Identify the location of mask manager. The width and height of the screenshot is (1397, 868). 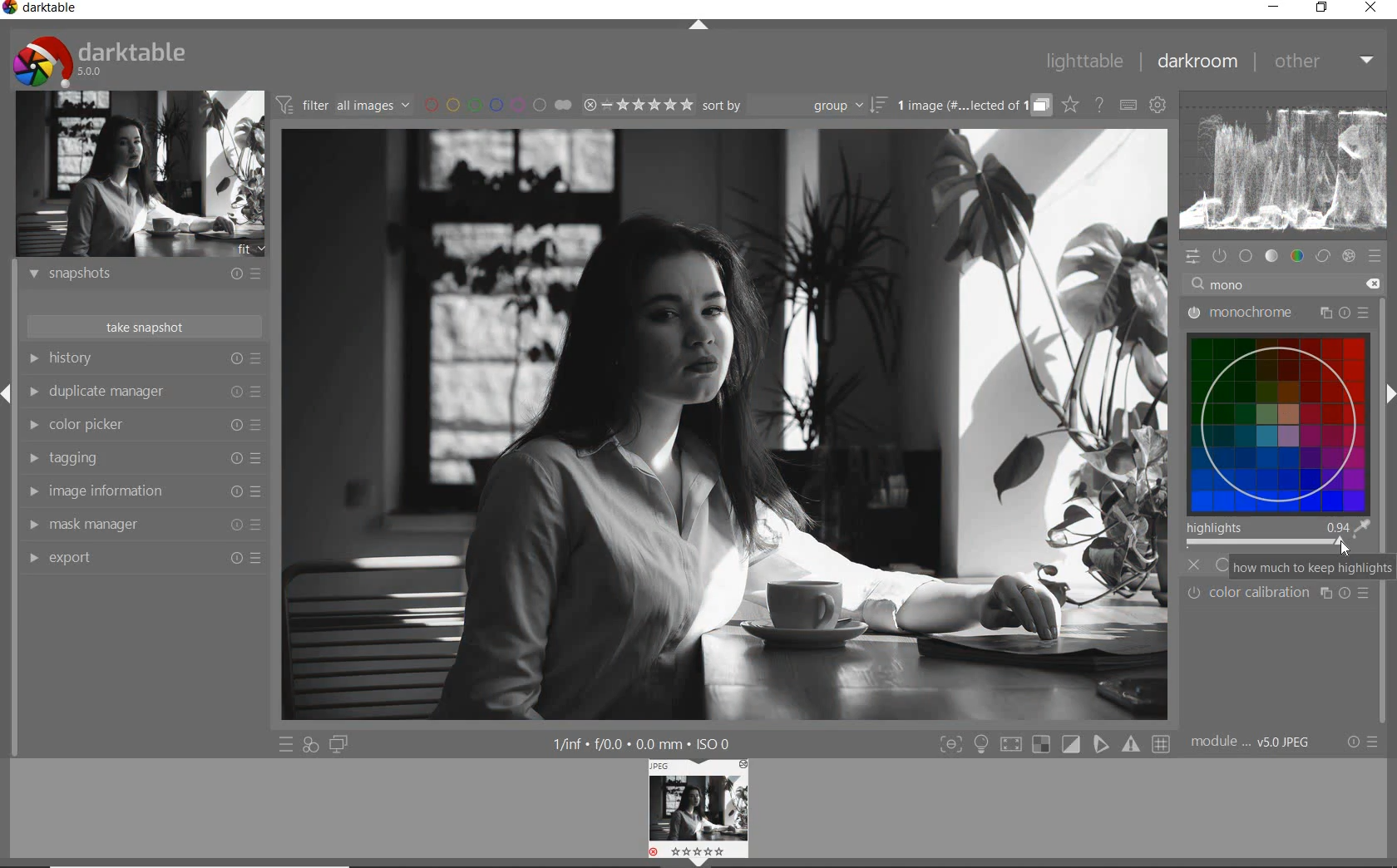
(141, 525).